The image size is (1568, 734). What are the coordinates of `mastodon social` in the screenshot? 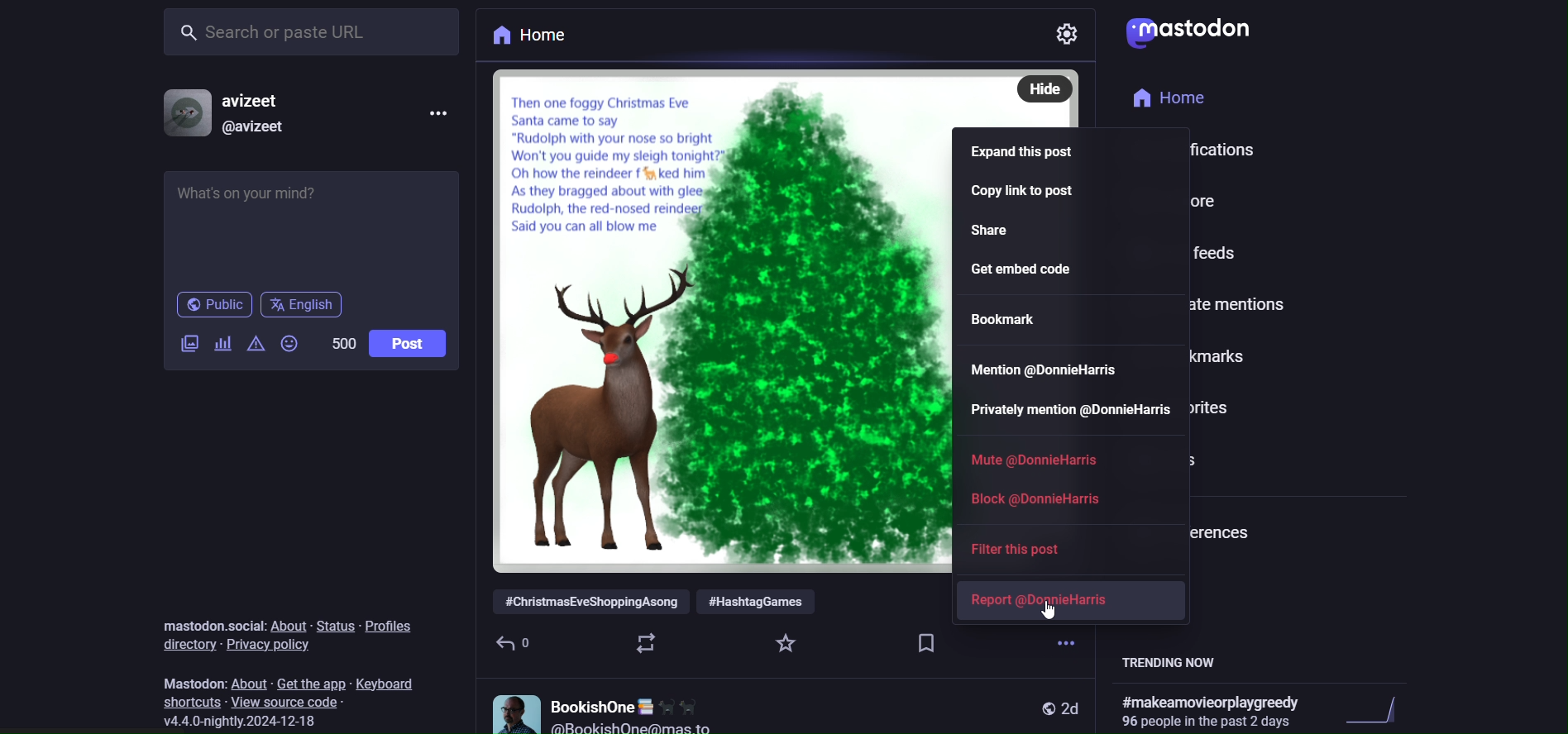 It's located at (213, 623).